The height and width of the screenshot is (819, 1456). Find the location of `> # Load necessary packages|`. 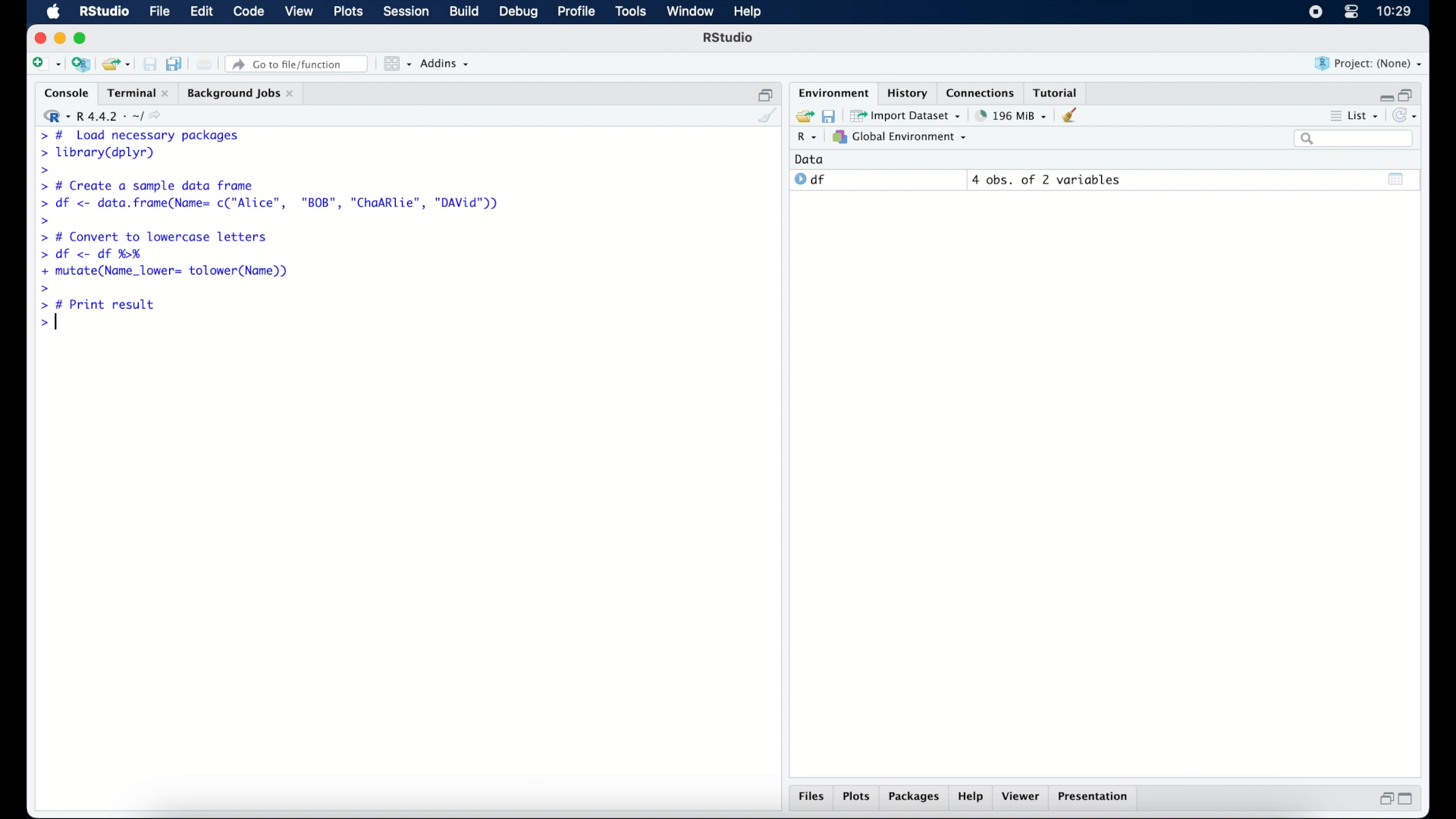

> # Load necessary packages| is located at coordinates (138, 134).